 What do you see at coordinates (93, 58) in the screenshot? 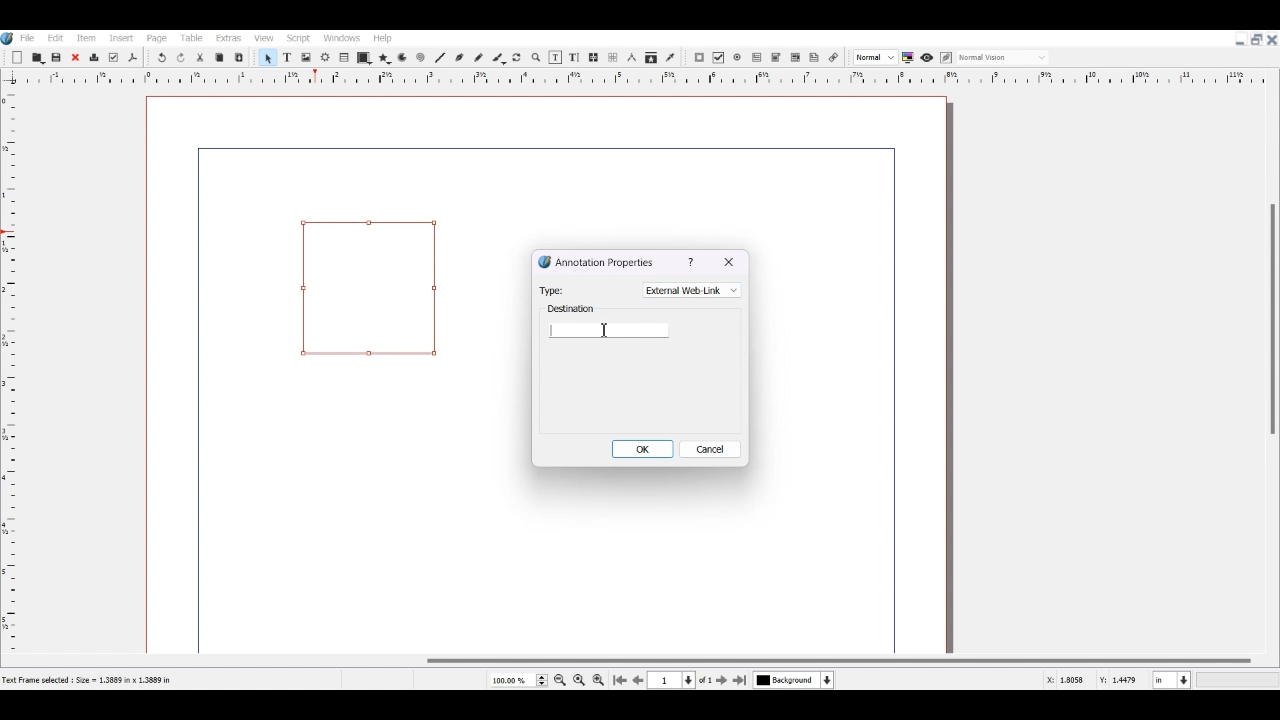
I see `Delete` at bounding box center [93, 58].